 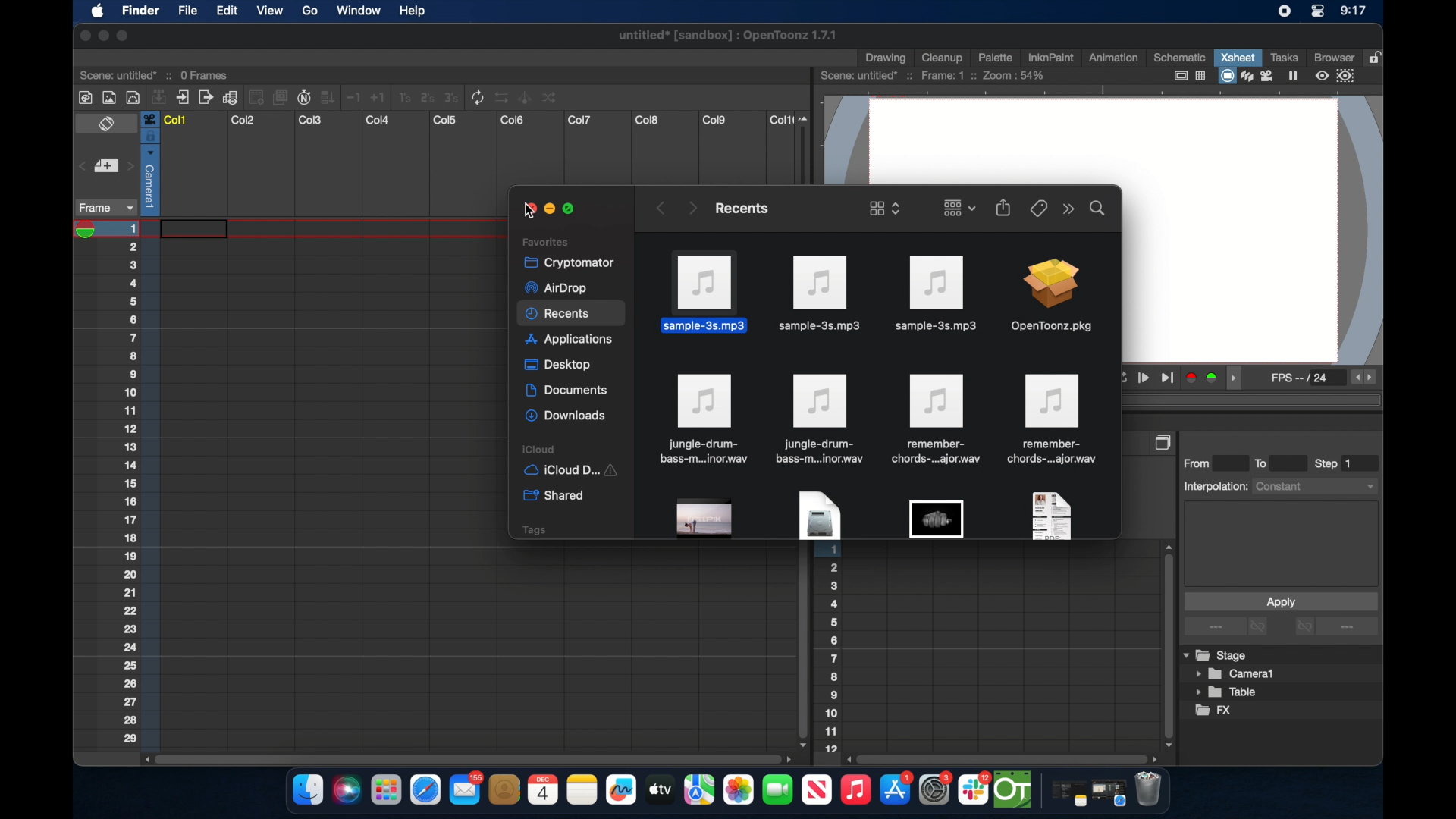 What do you see at coordinates (385, 792) in the screenshot?
I see `launchpad` at bounding box center [385, 792].